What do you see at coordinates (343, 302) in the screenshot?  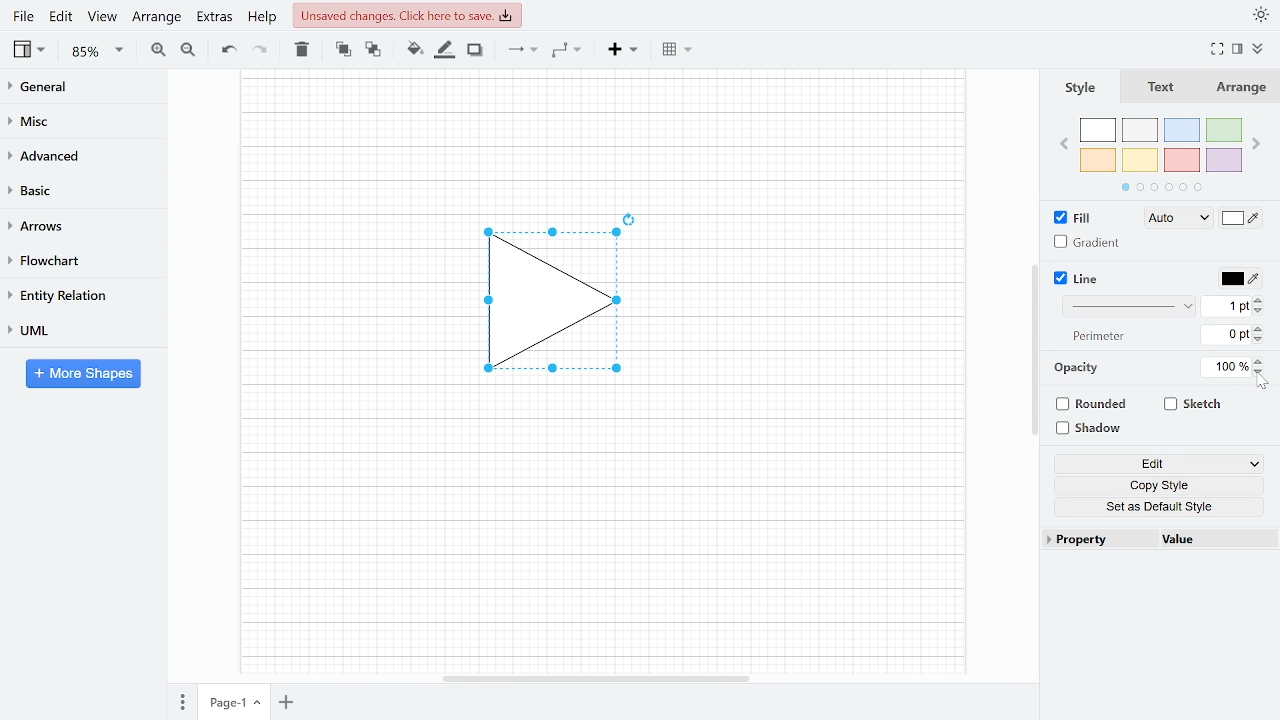 I see `workspace` at bounding box center [343, 302].